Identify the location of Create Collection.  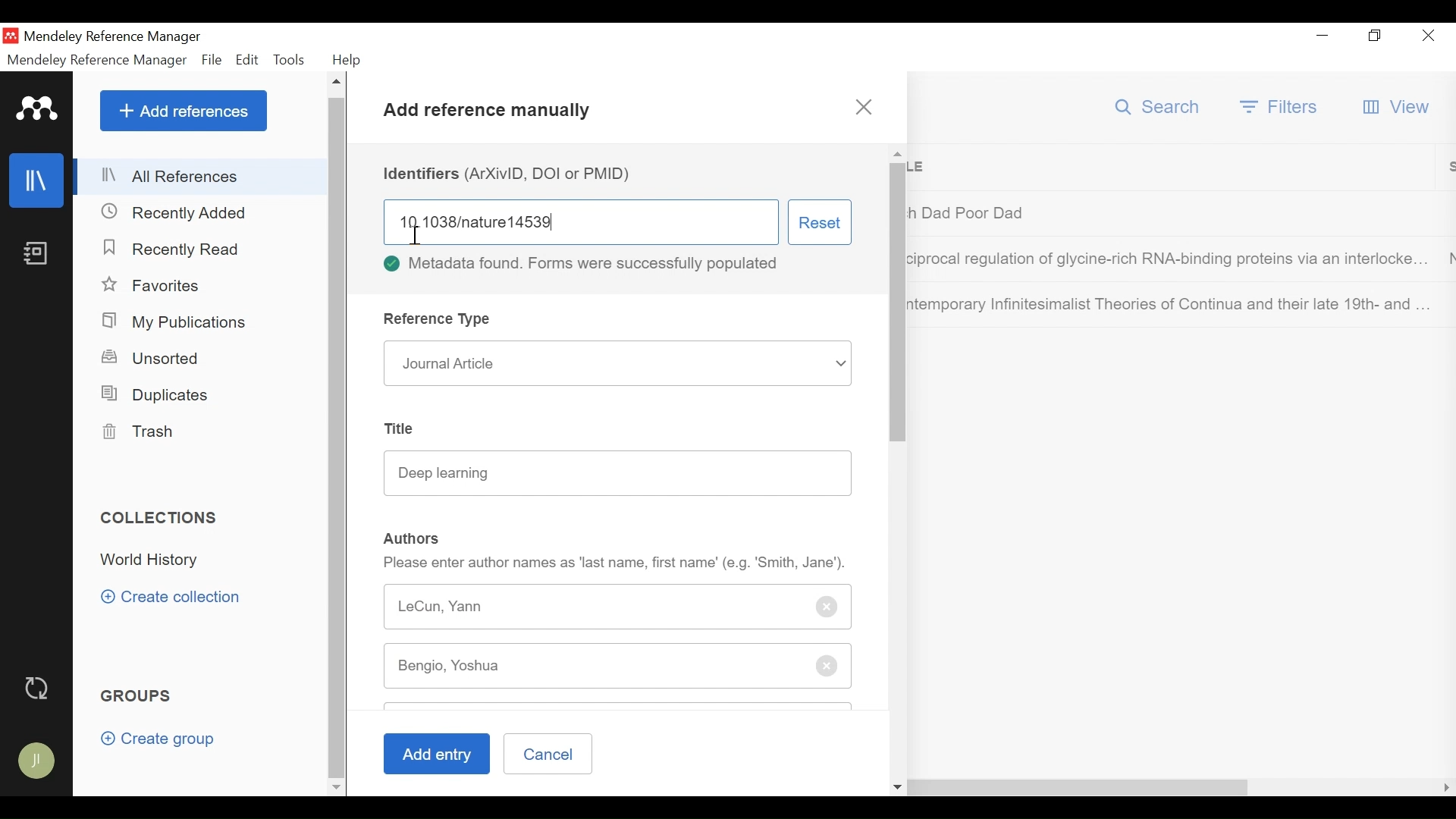
(176, 597).